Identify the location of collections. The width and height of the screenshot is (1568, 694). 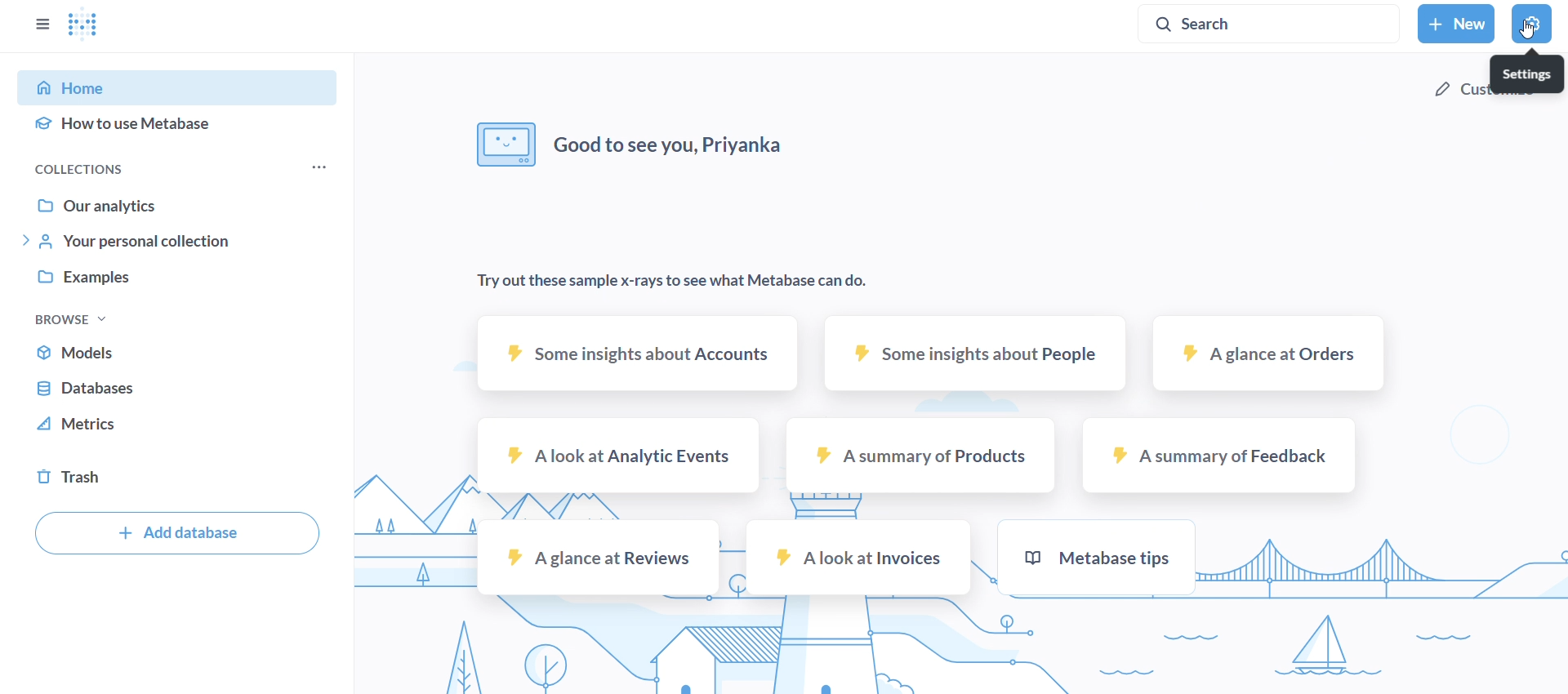
(118, 167).